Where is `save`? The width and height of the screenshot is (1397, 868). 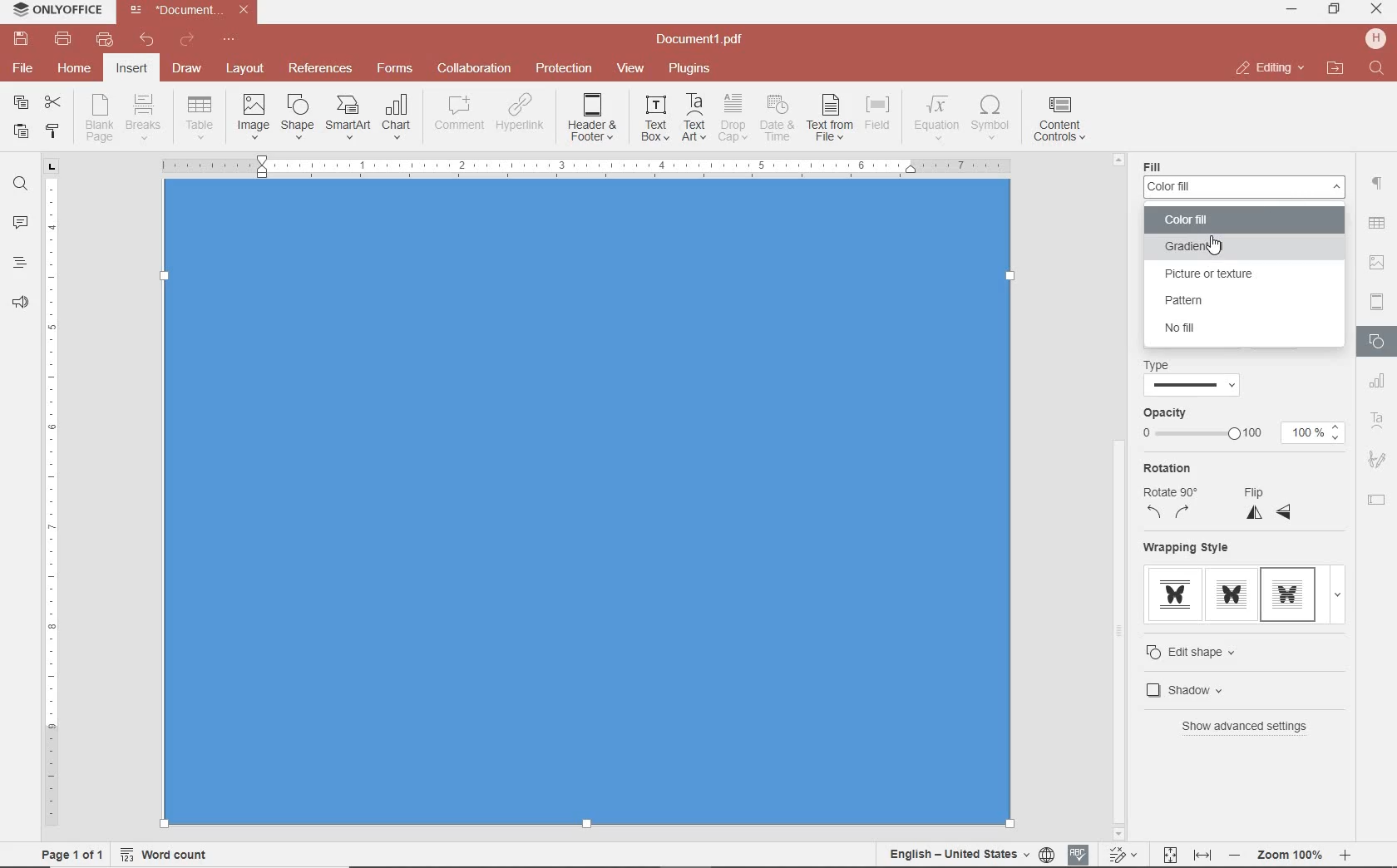
save is located at coordinates (19, 39).